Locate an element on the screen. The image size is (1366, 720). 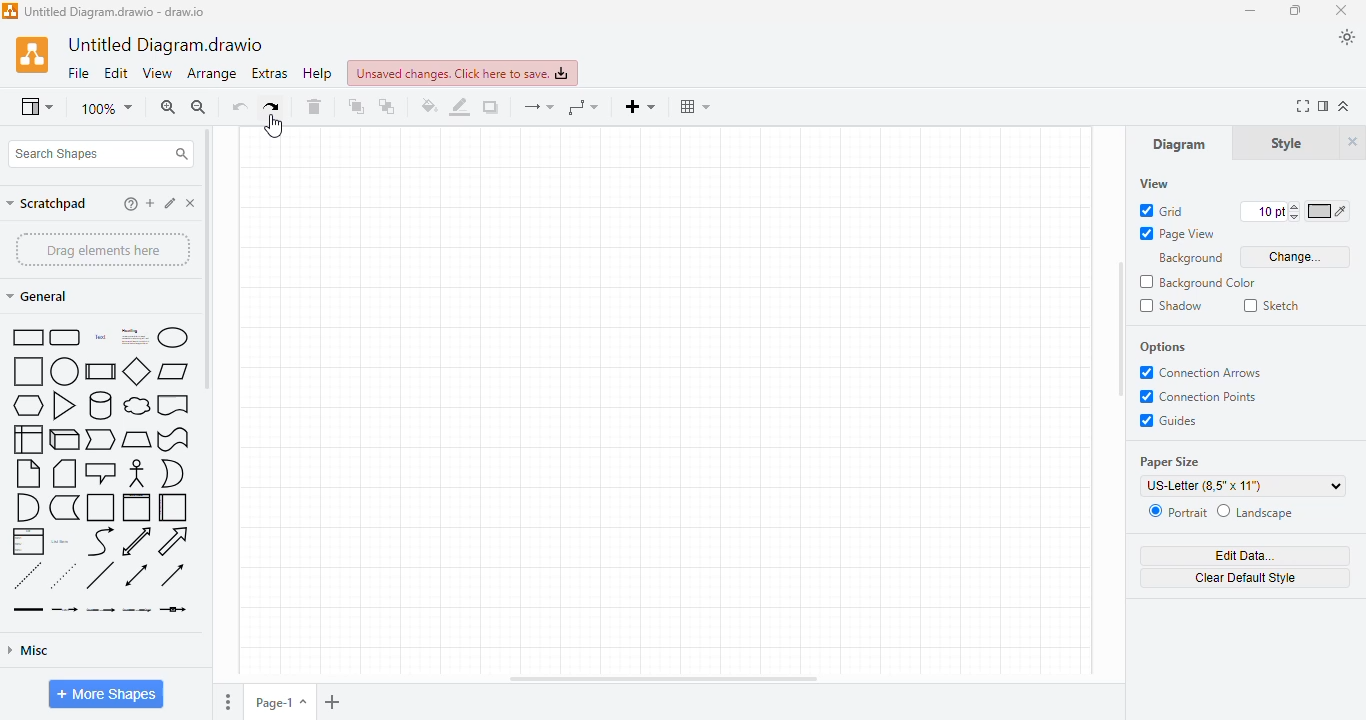
trapezoid is located at coordinates (137, 440).